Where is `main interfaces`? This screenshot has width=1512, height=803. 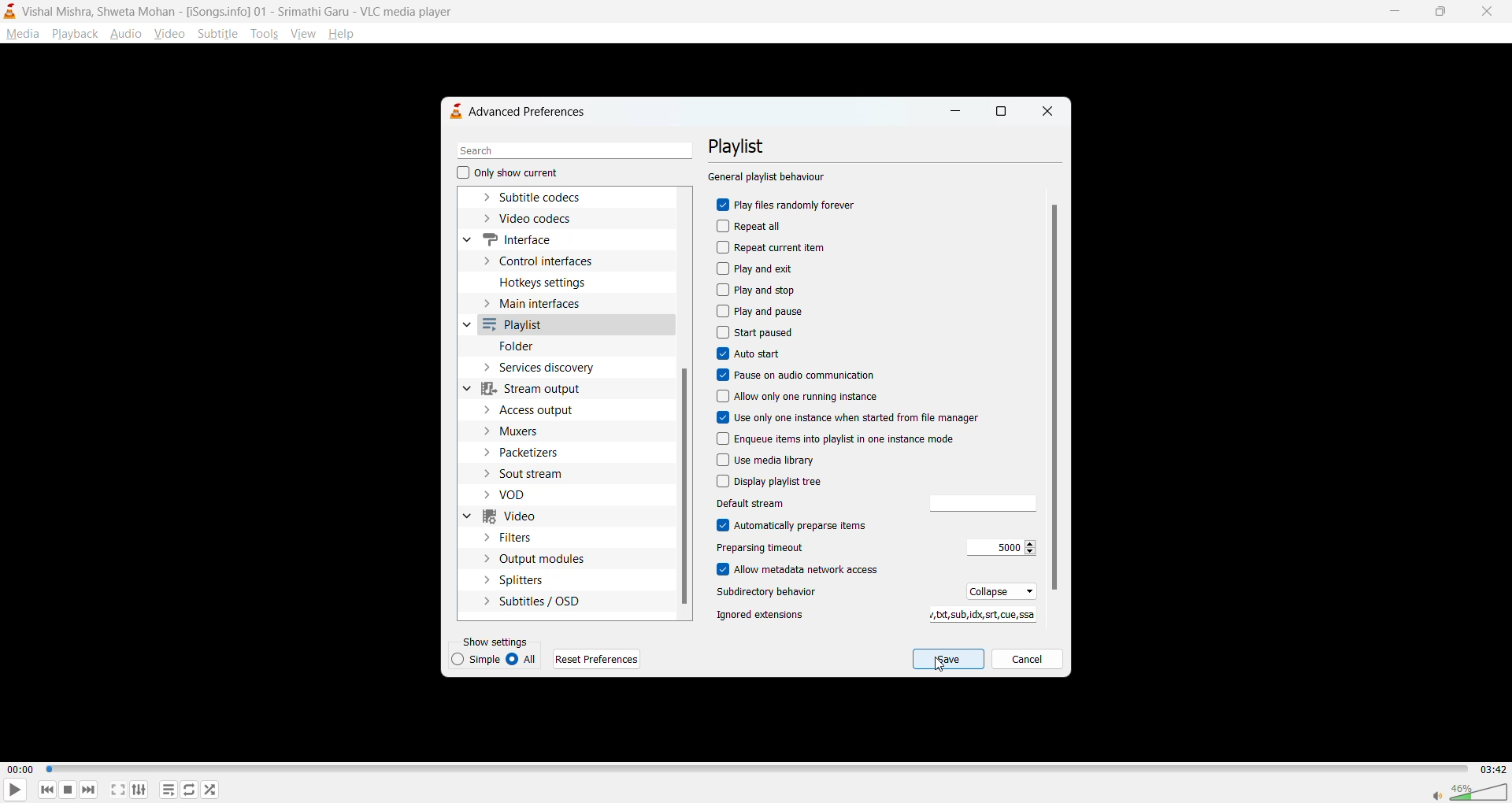
main interfaces is located at coordinates (547, 306).